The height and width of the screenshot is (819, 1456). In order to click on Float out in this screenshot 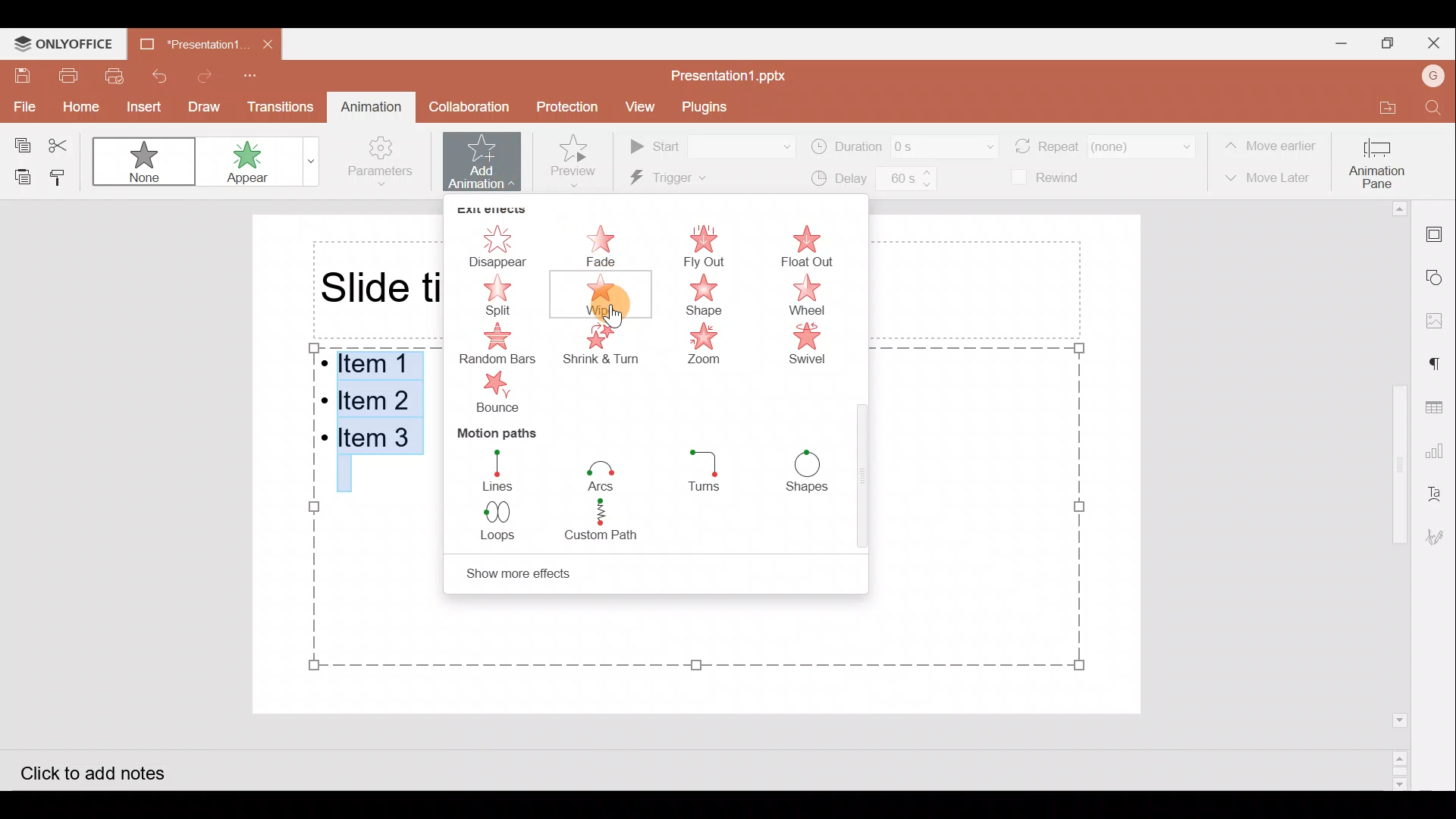, I will do `click(814, 246)`.